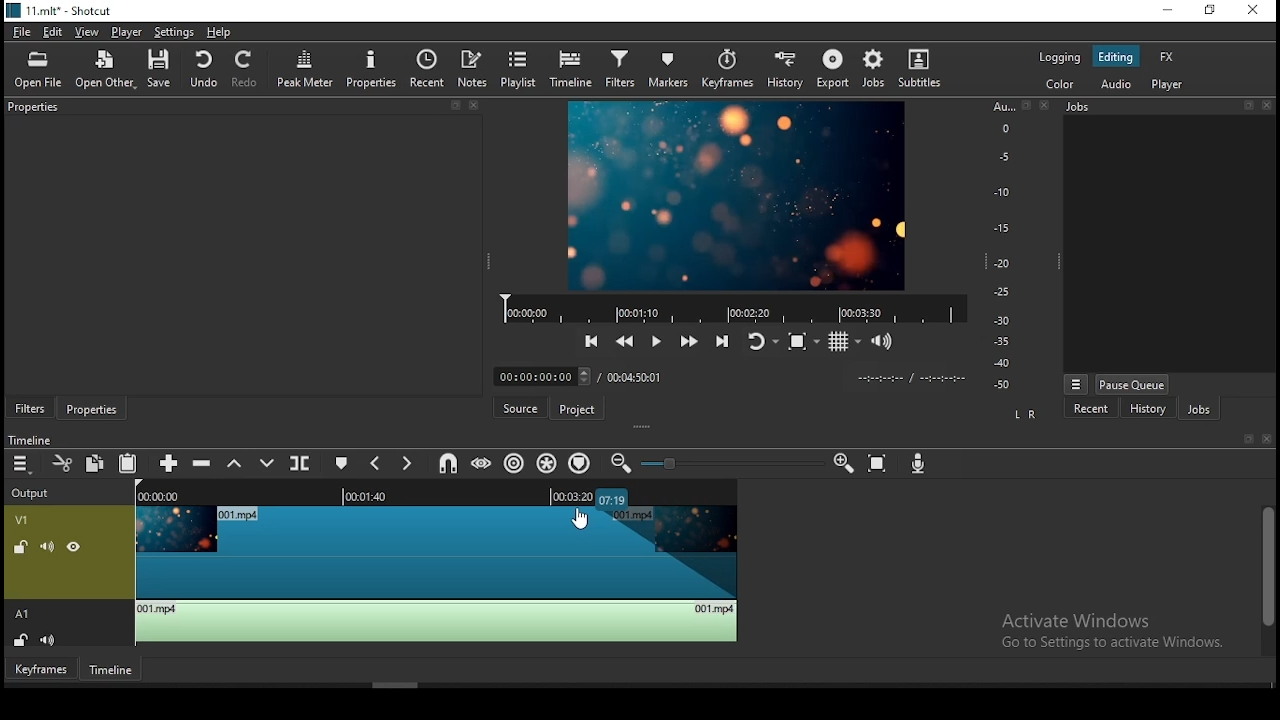 The image size is (1280, 720). Describe the element at coordinates (834, 66) in the screenshot. I see `export` at that location.